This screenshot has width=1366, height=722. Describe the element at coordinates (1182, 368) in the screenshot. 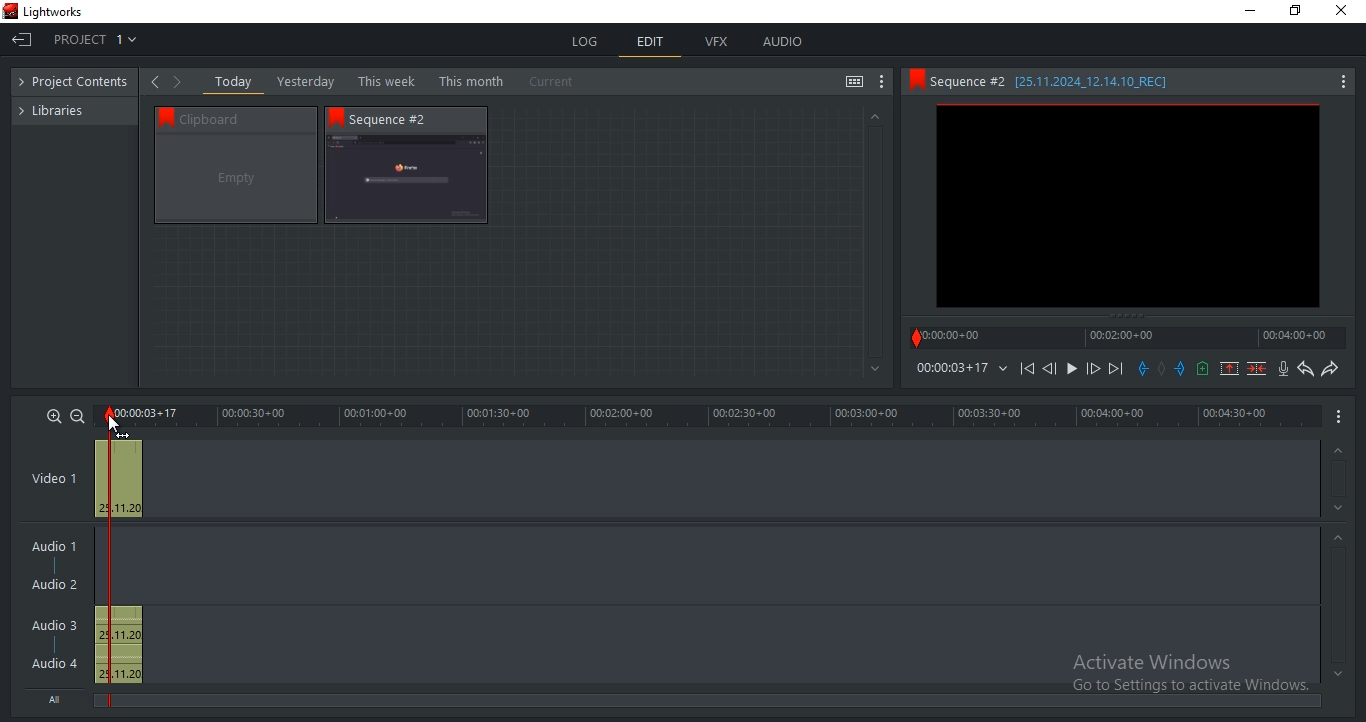

I see `mark out` at that location.